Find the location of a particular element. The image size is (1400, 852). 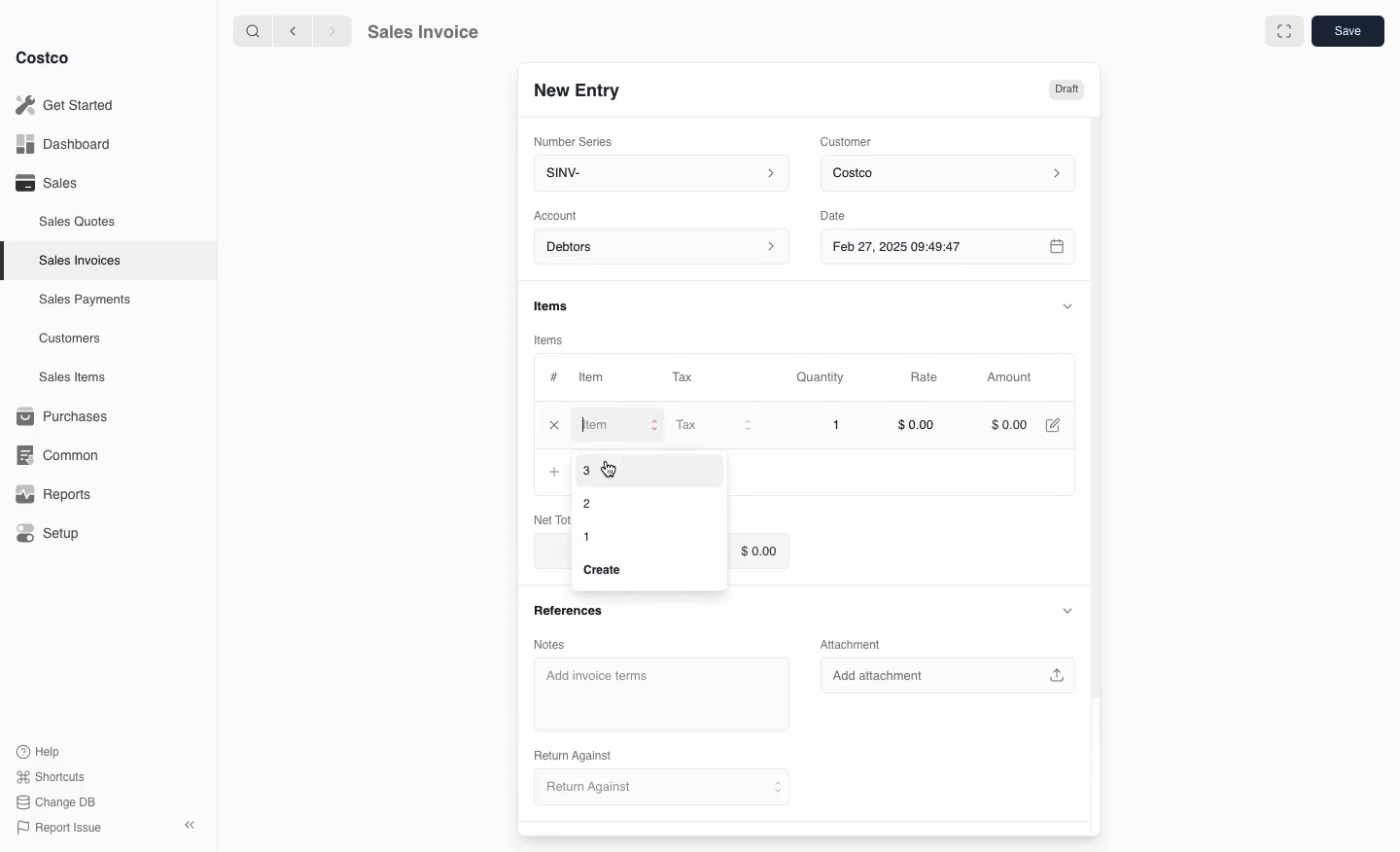

Setup is located at coordinates (50, 535).